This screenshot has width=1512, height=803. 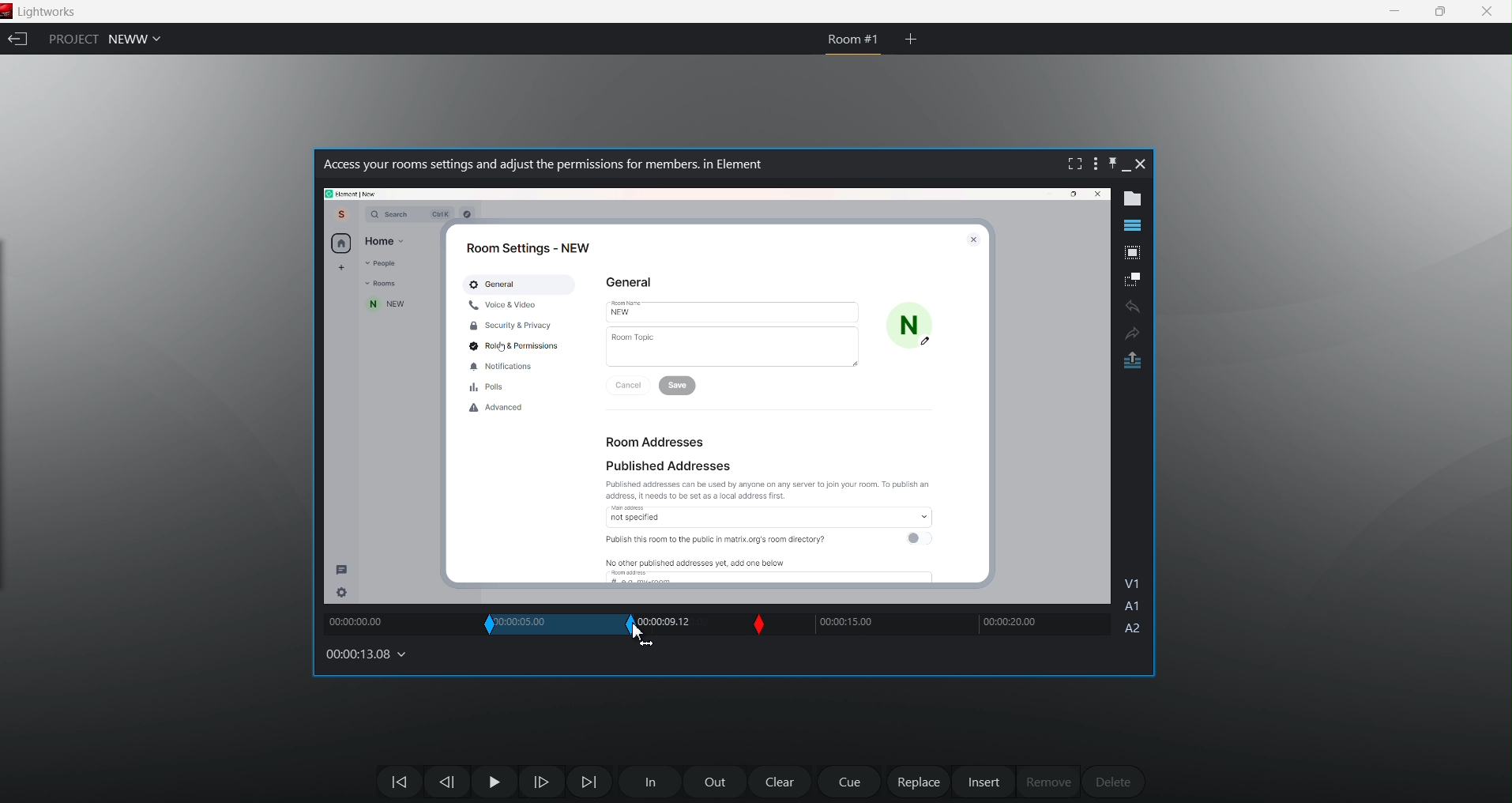 I want to click on current in and out time, so click(x=561, y=626).